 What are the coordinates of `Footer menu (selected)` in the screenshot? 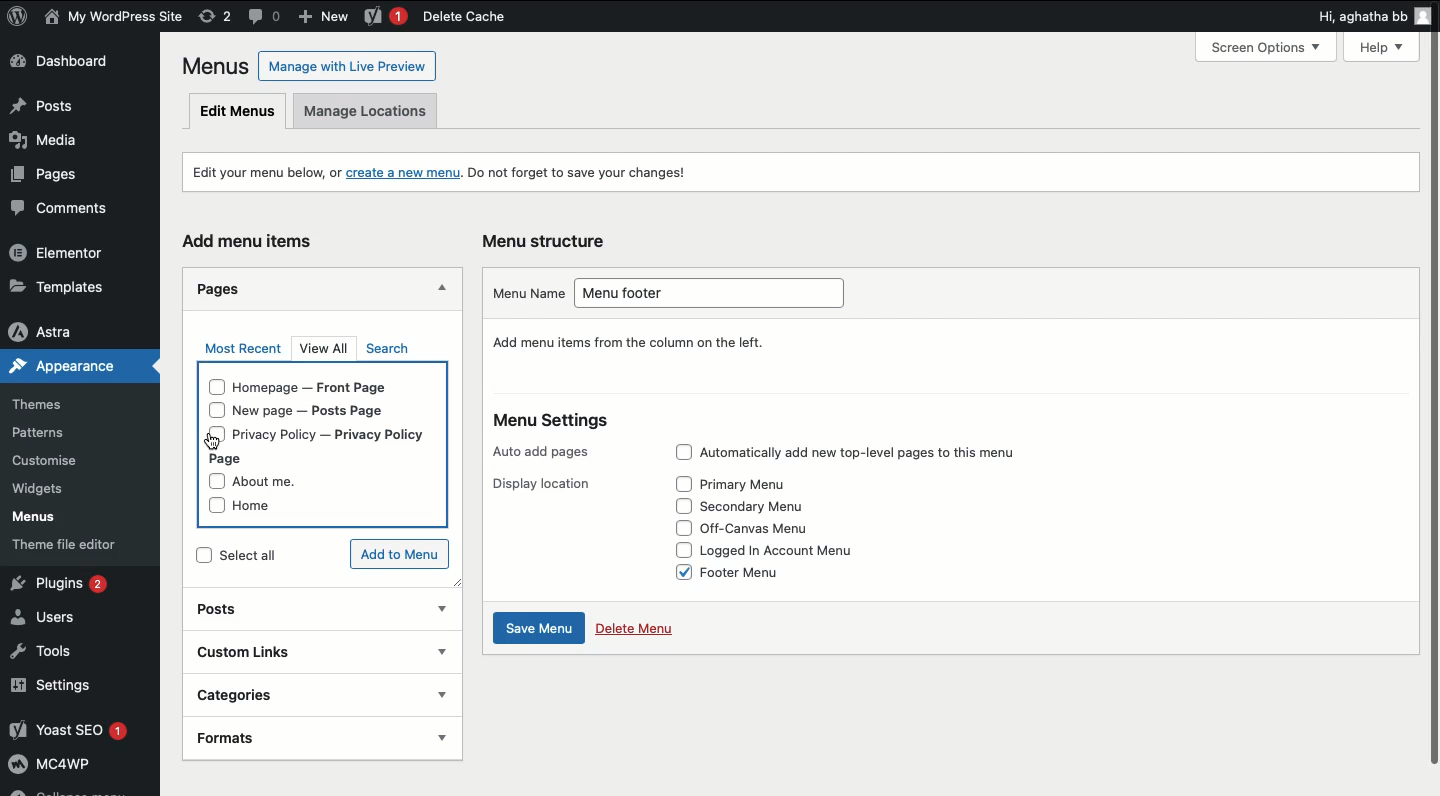 It's located at (766, 574).